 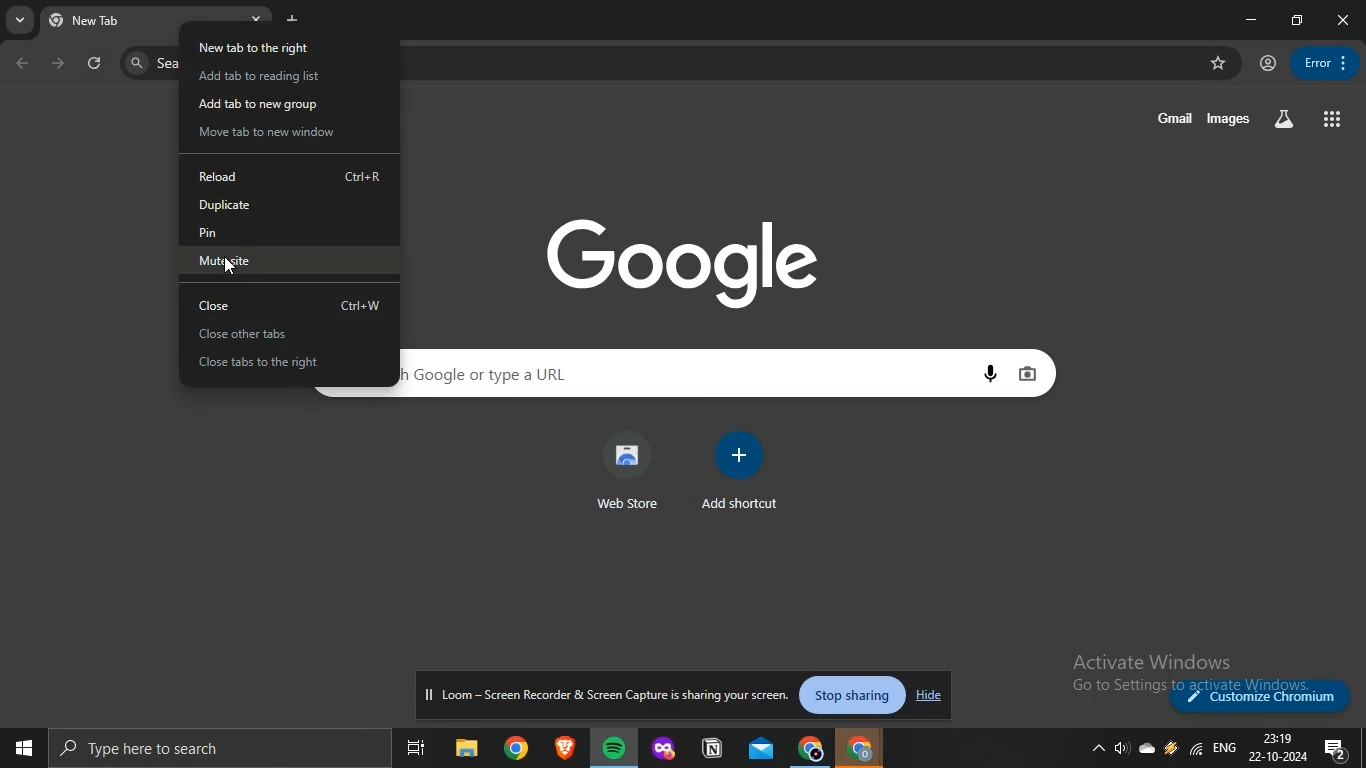 I want to click on minimize, so click(x=1255, y=20).